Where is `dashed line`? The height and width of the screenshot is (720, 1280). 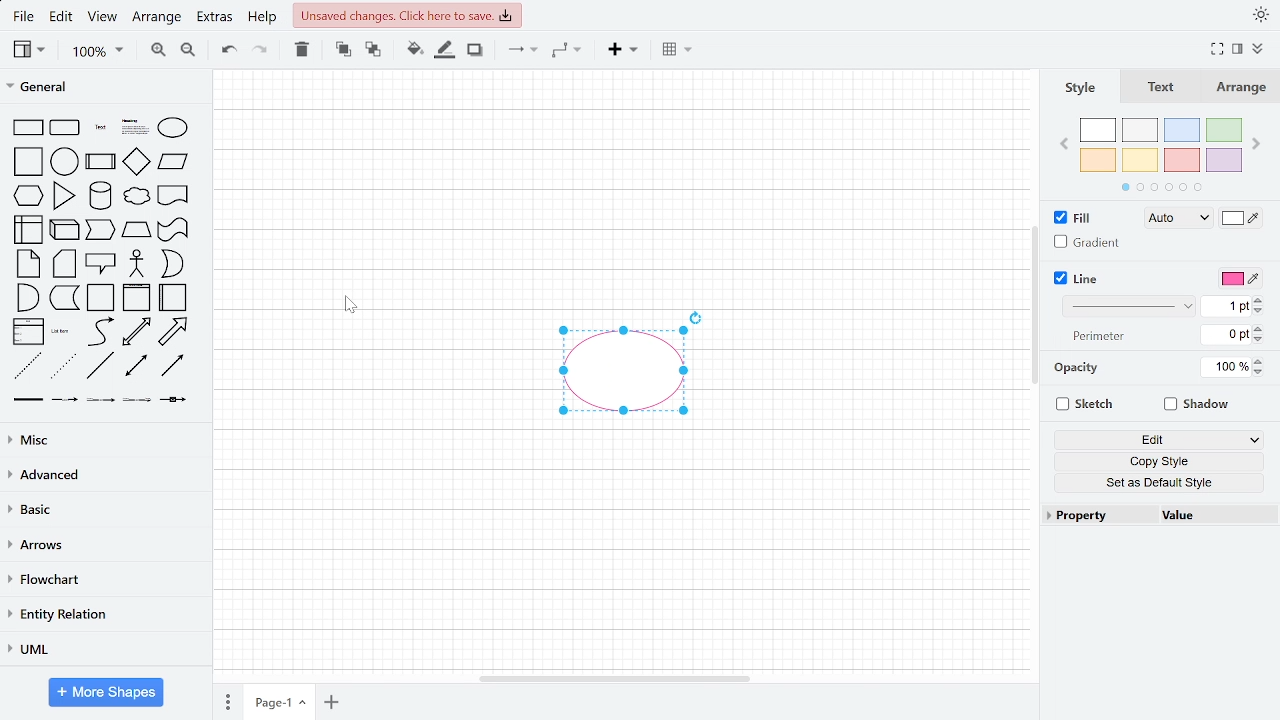
dashed line is located at coordinates (26, 365).